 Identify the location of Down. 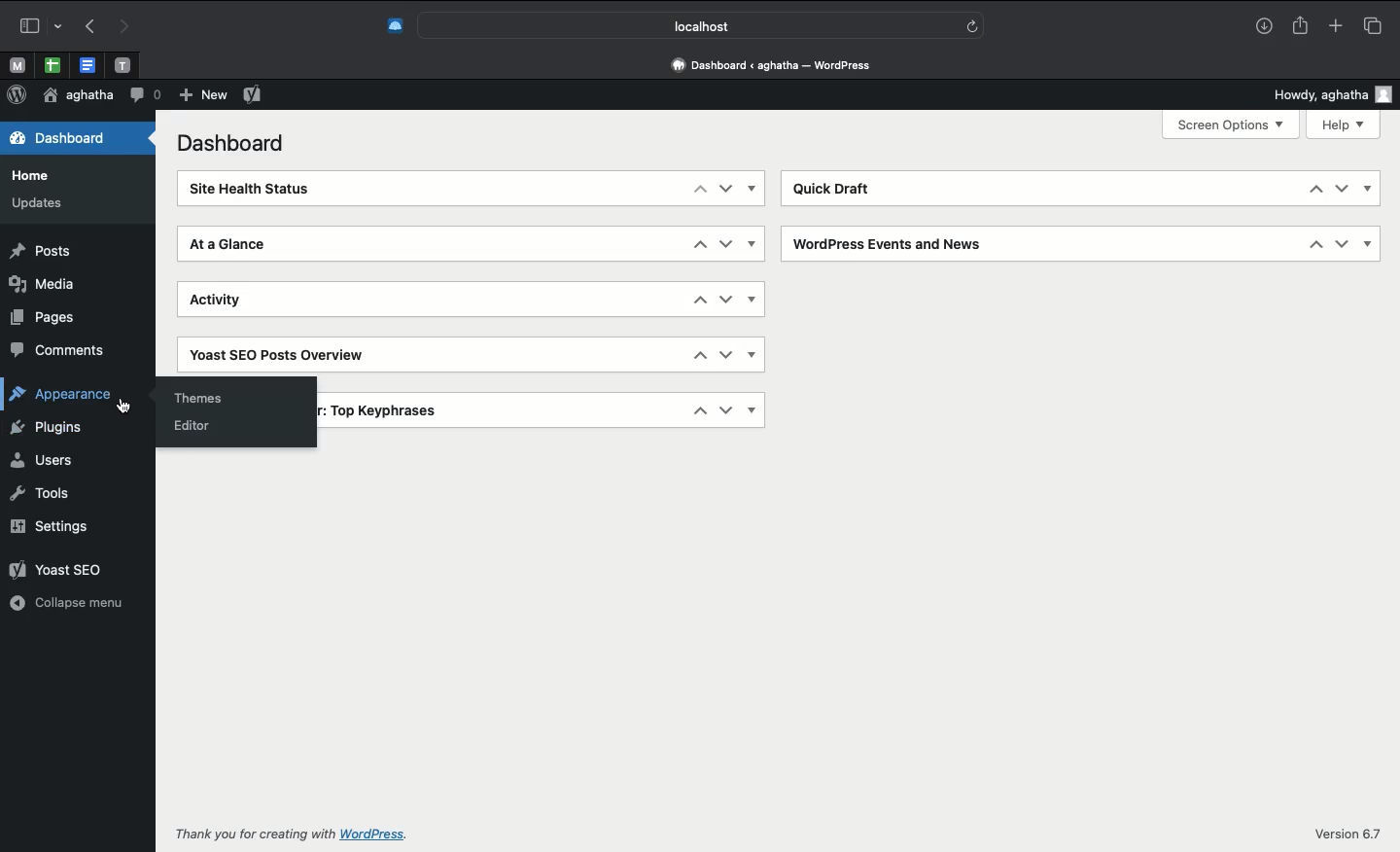
(725, 410).